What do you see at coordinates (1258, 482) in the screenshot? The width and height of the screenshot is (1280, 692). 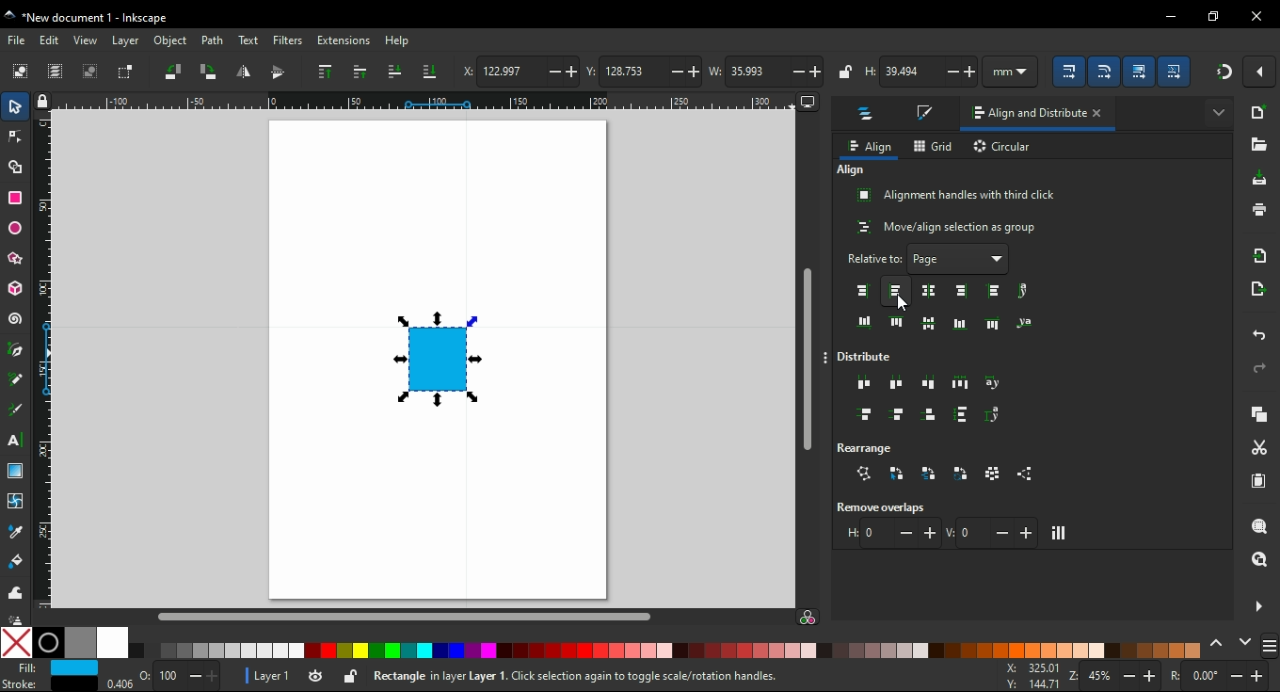 I see `paste` at bounding box center [1258, 482].